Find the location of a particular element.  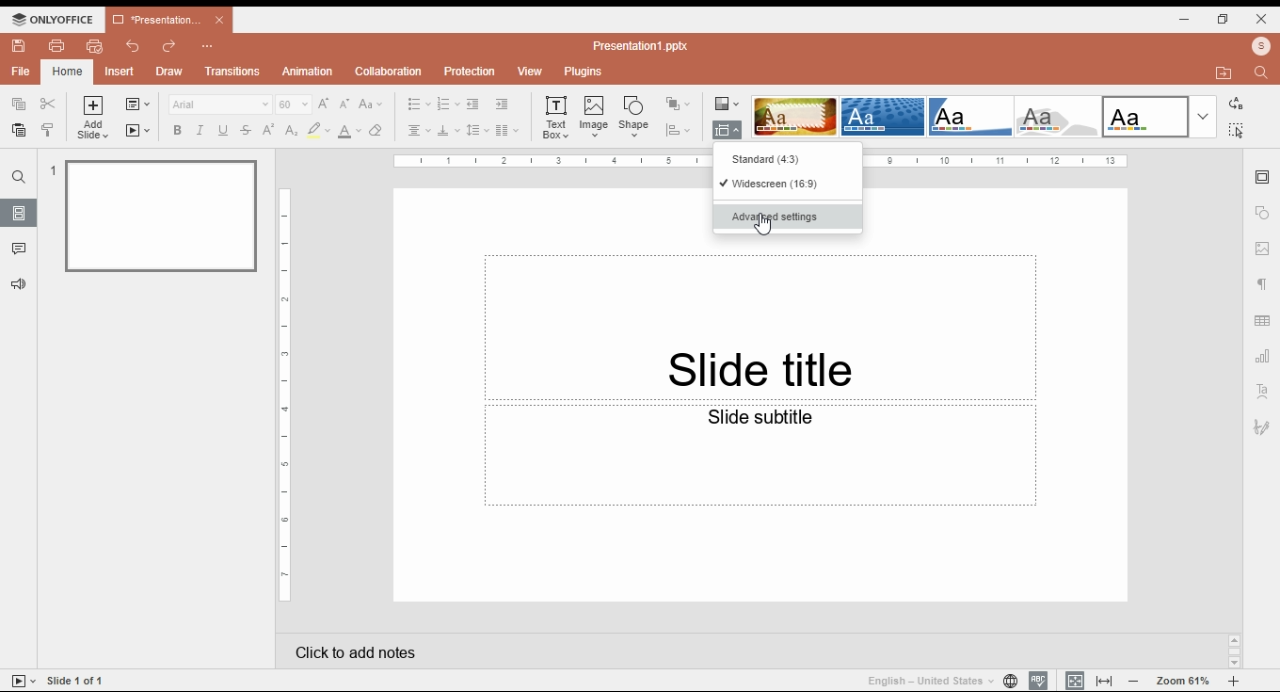

find is located at coordinates (1235, 130).